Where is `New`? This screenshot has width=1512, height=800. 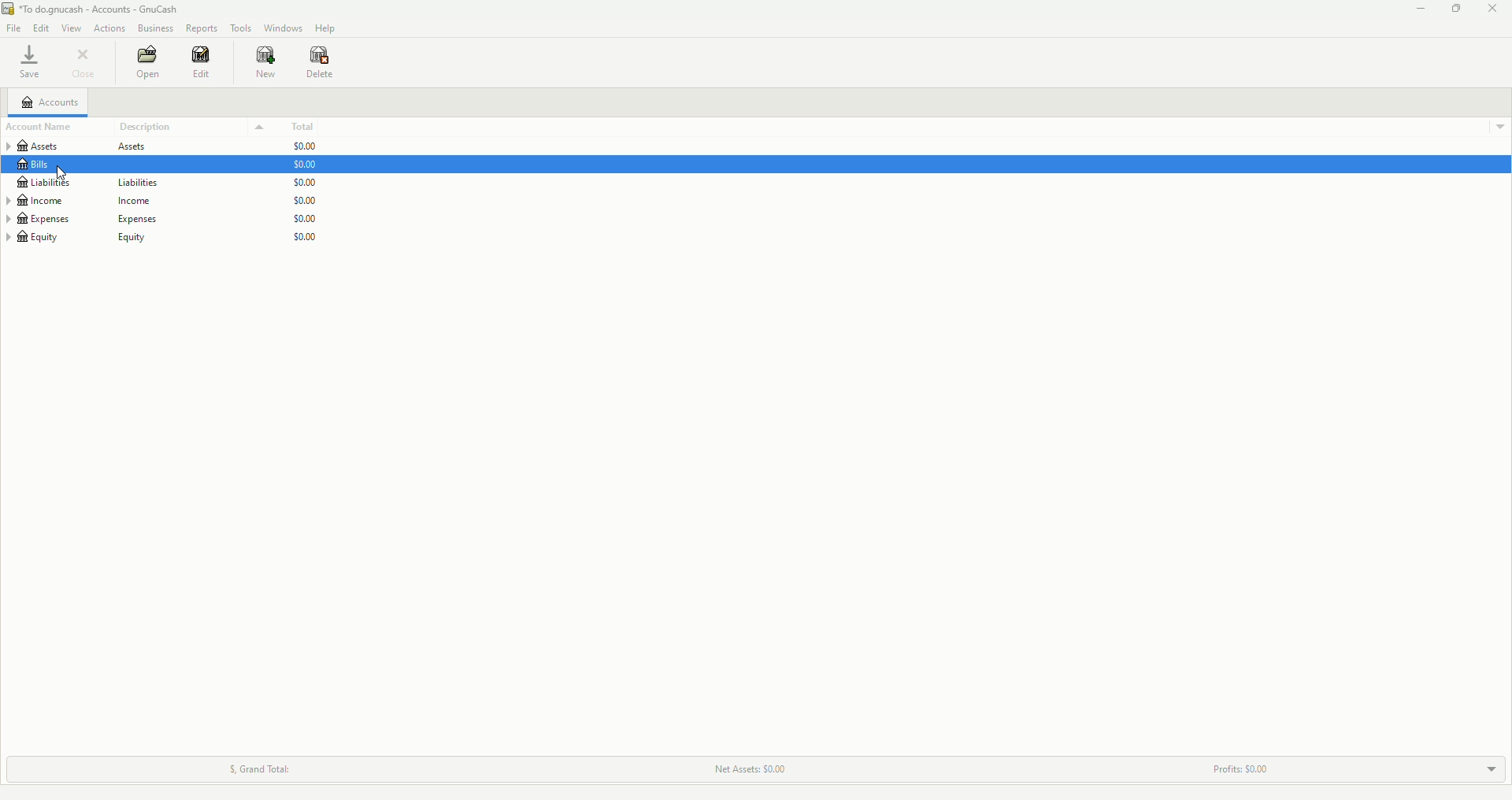 New is located at coordinates (266, 63).